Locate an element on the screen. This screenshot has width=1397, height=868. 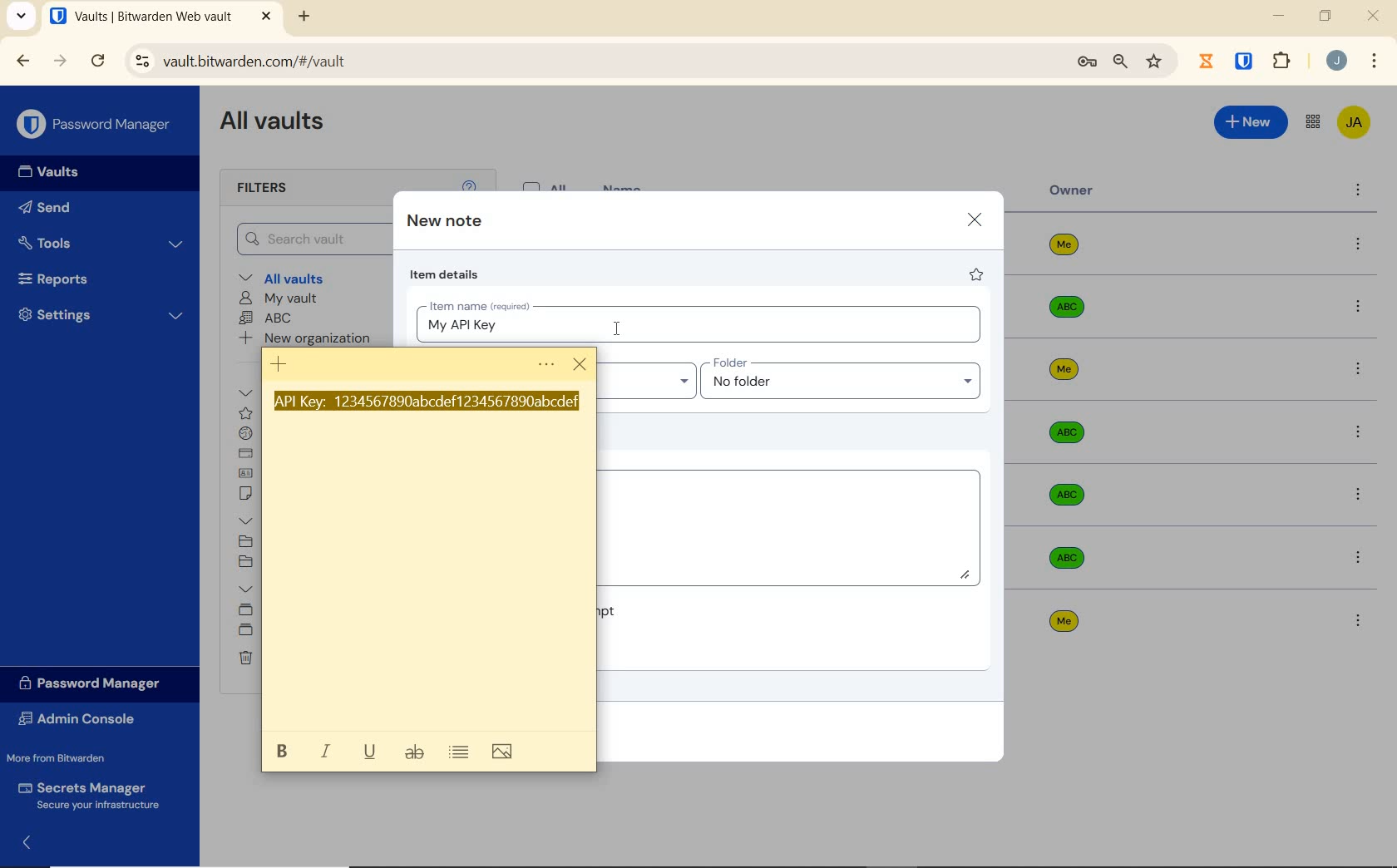
Menu is located at coordinates (545, 366).